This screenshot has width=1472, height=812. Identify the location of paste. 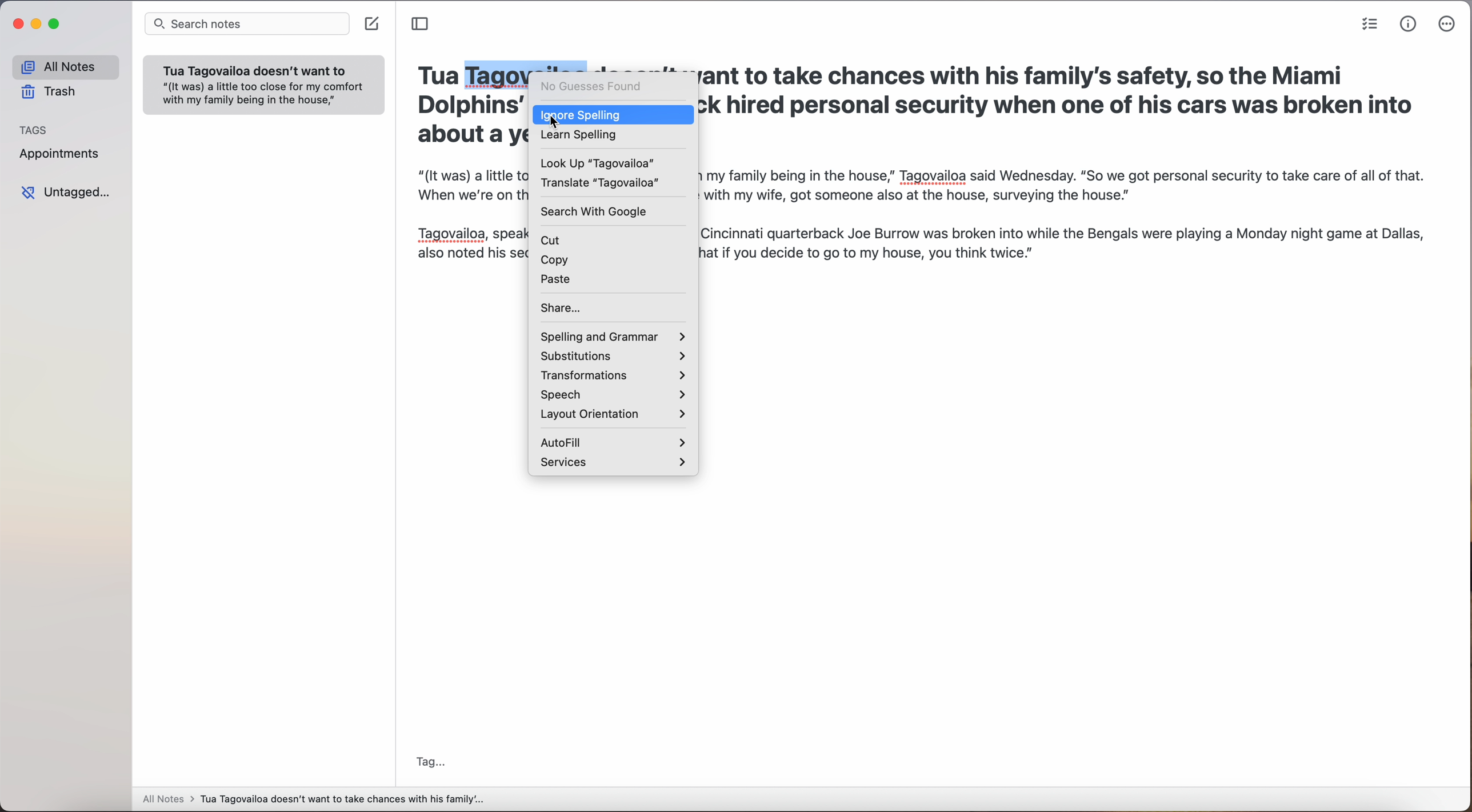
(560, 278).